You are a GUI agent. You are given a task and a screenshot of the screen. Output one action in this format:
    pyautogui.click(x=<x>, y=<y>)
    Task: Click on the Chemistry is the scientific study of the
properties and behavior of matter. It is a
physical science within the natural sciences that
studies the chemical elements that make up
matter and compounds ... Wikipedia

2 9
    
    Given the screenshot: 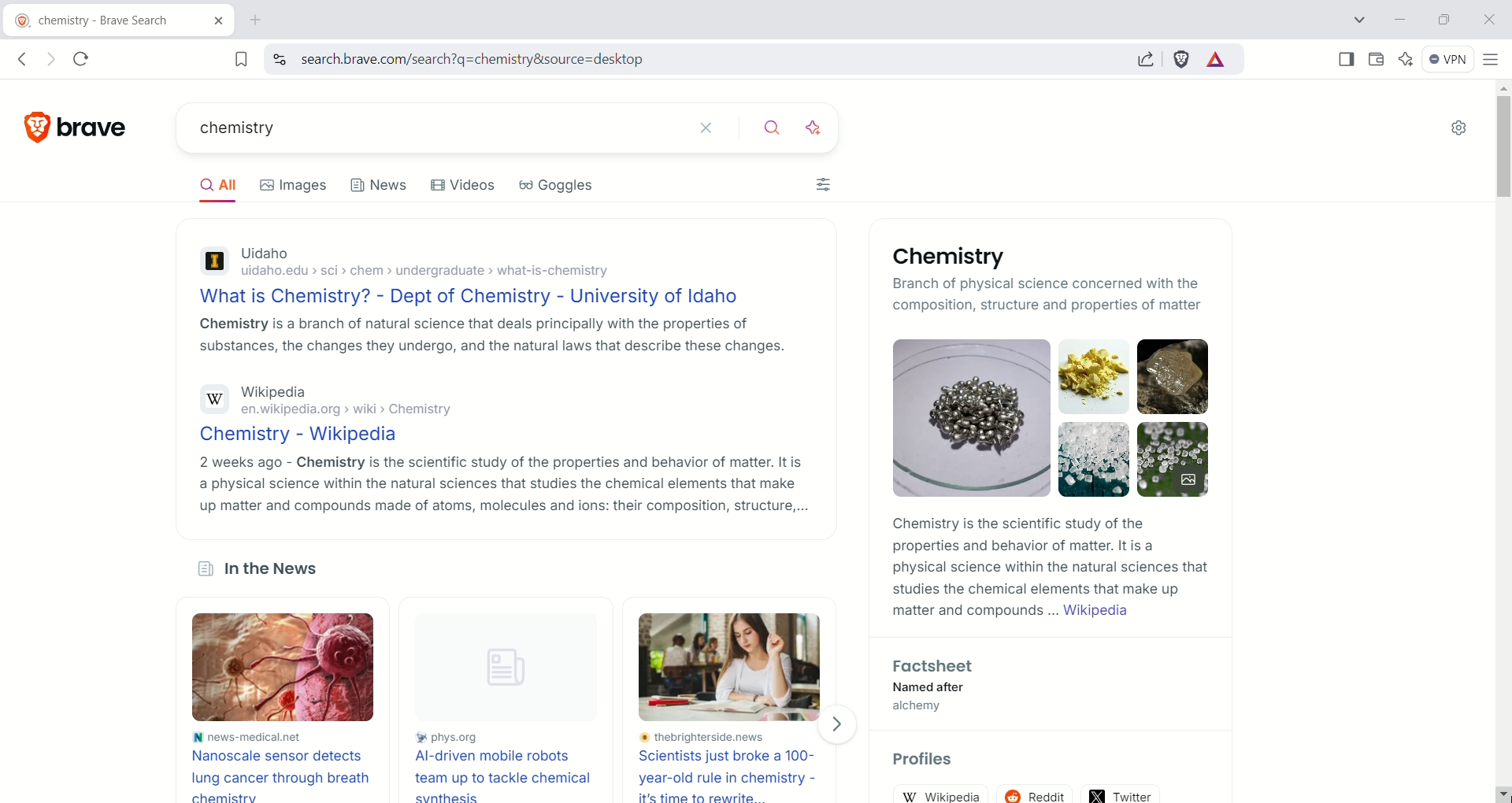 What is the action you would take?
    pyautogui.click(x=1047, y=572)
    